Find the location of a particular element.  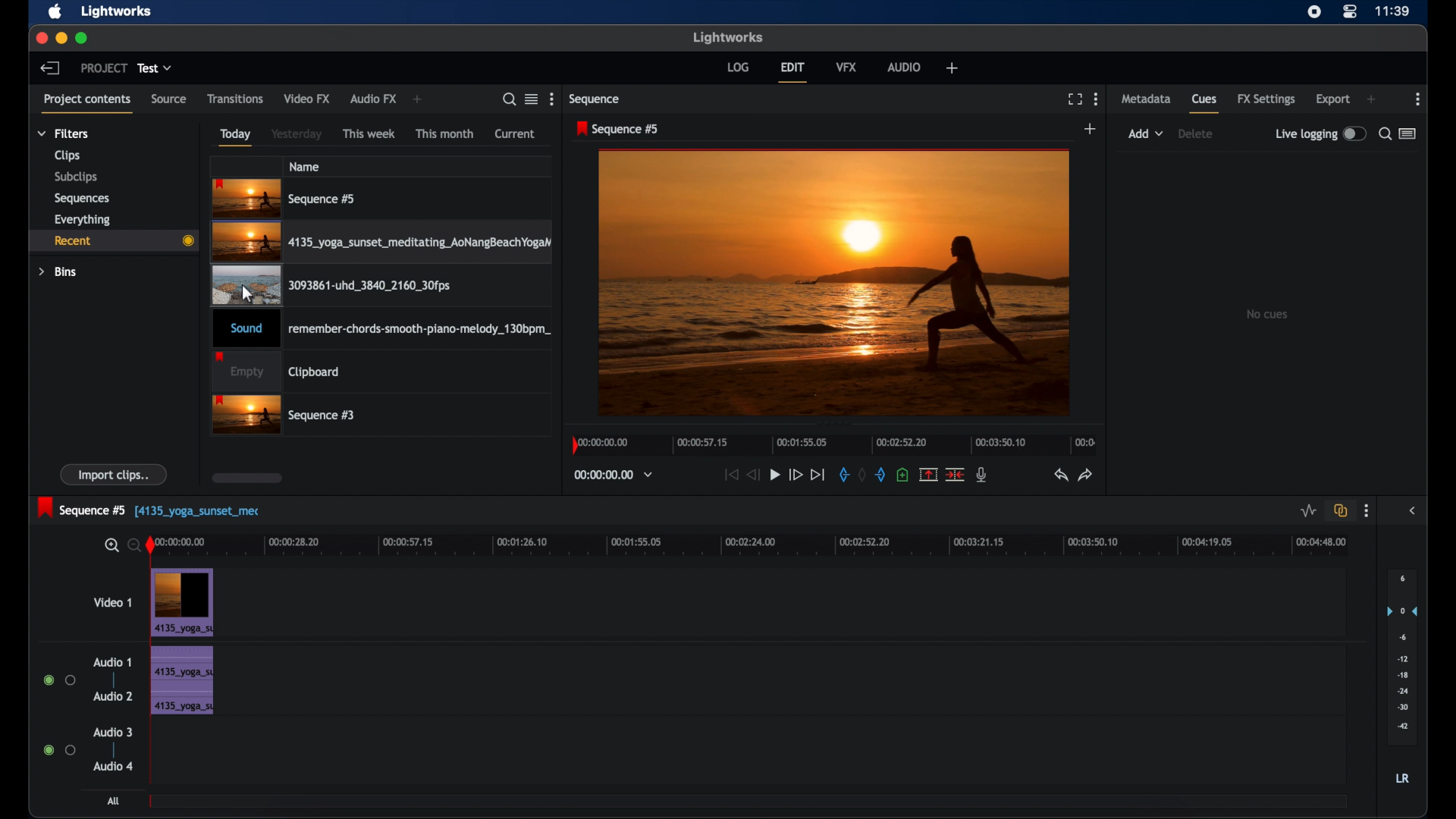

lightworks is located at coordinates (730, 38).